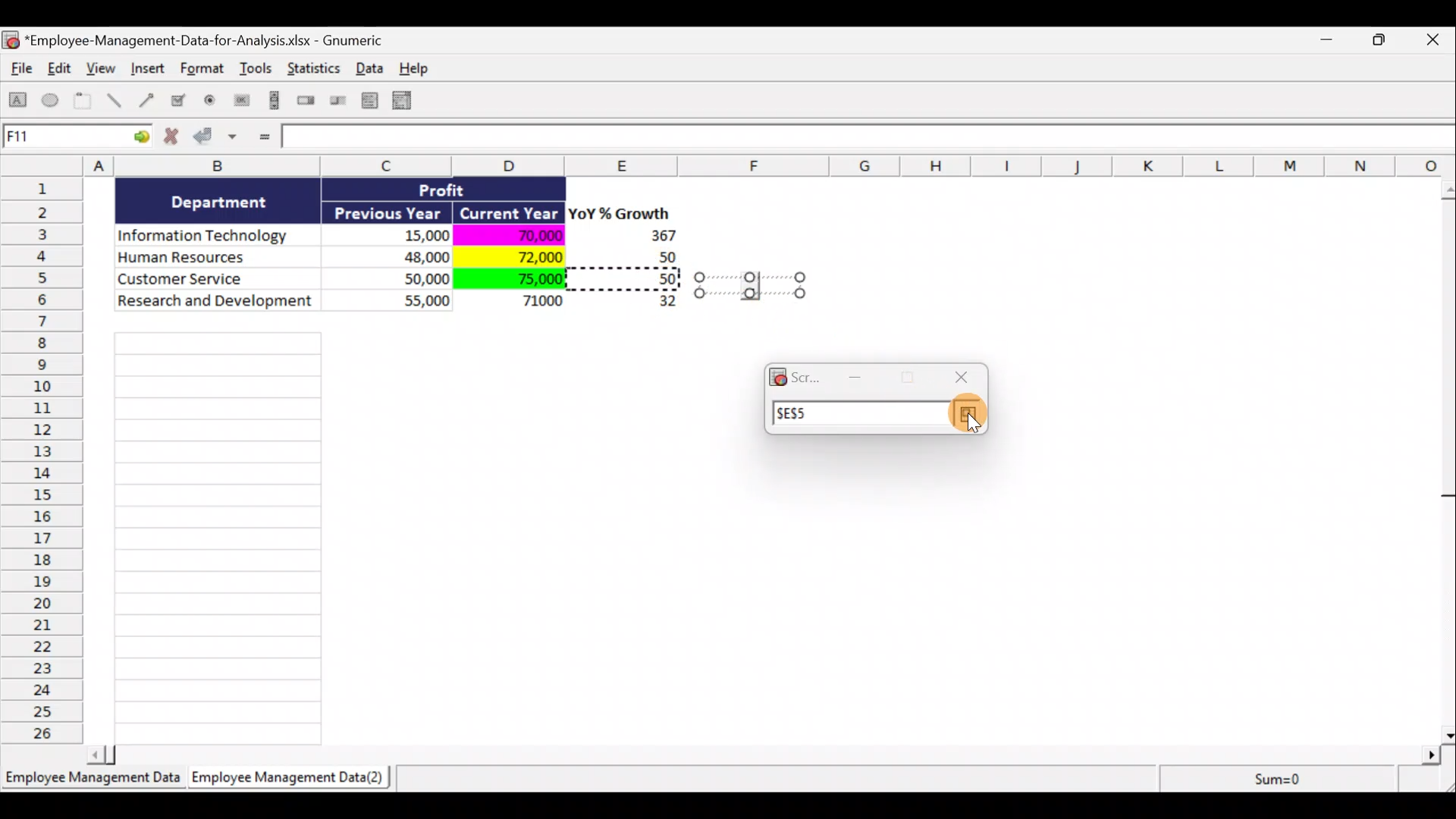  I want to click on Create a line object, so click(117, 101).